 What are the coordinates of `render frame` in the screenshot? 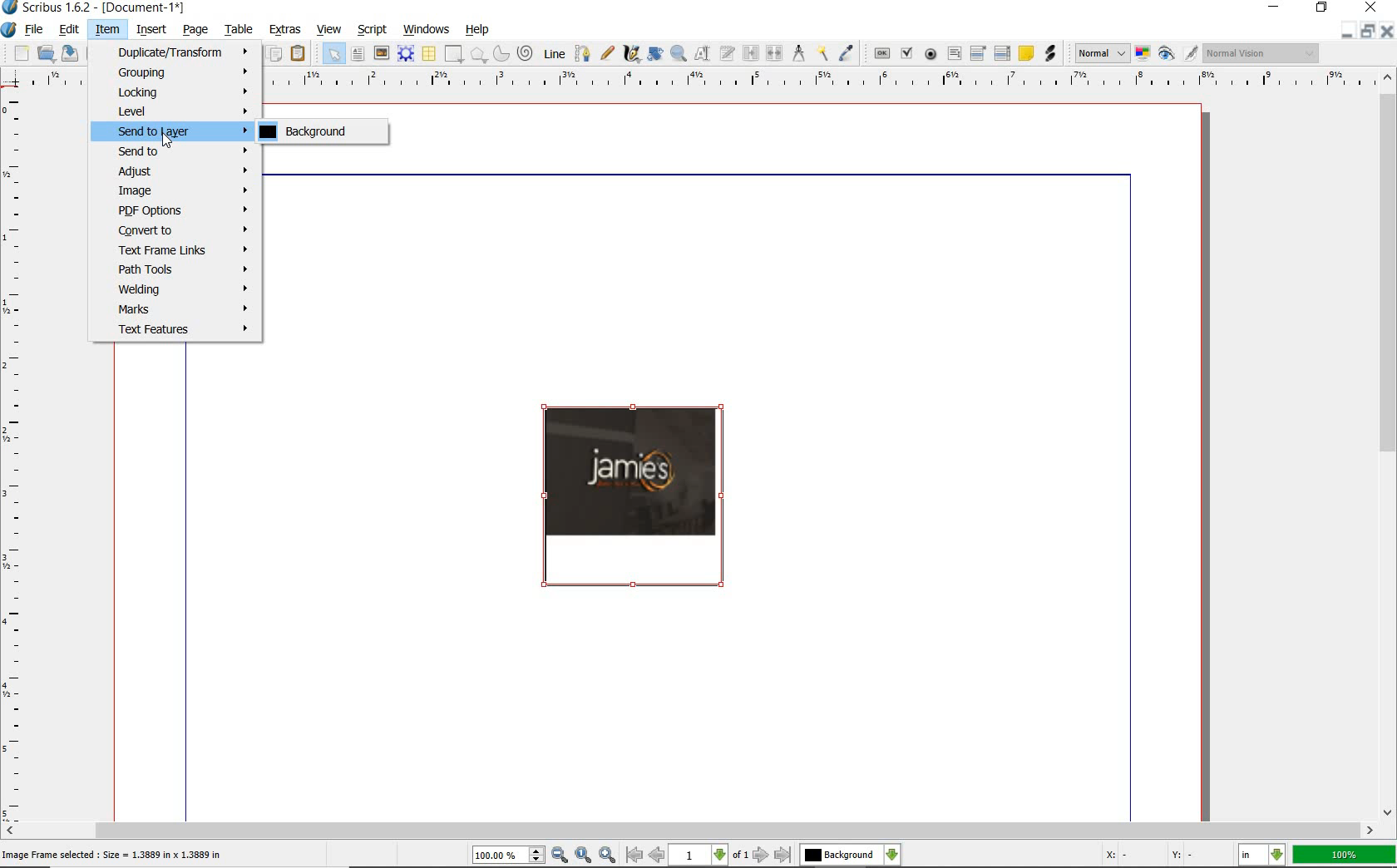 It's located at (407, 54).